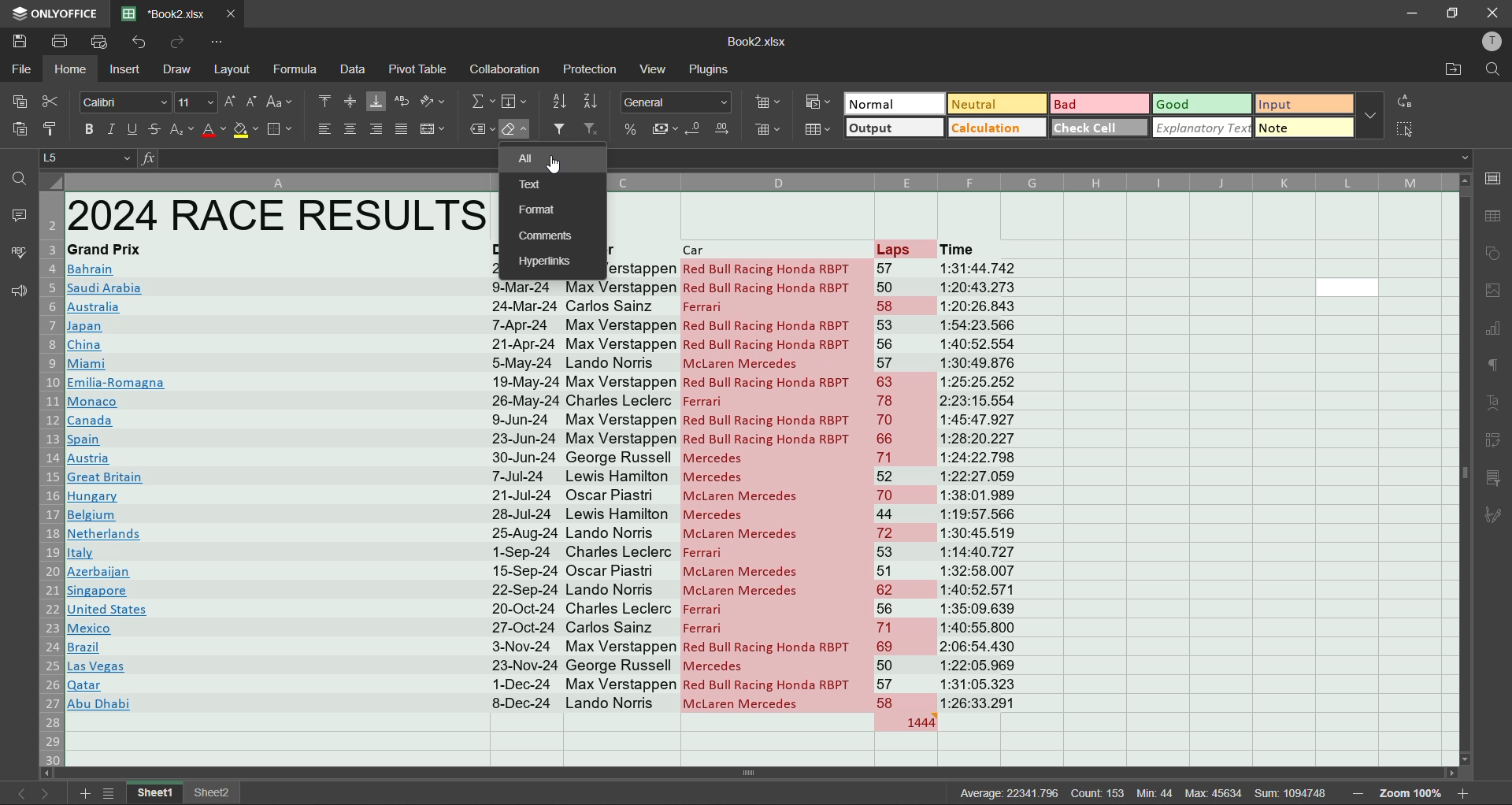  What do you see at coordinates (183, 129) in the screenshot?
I see `sub/superscript` at bounding box center [183, 129].